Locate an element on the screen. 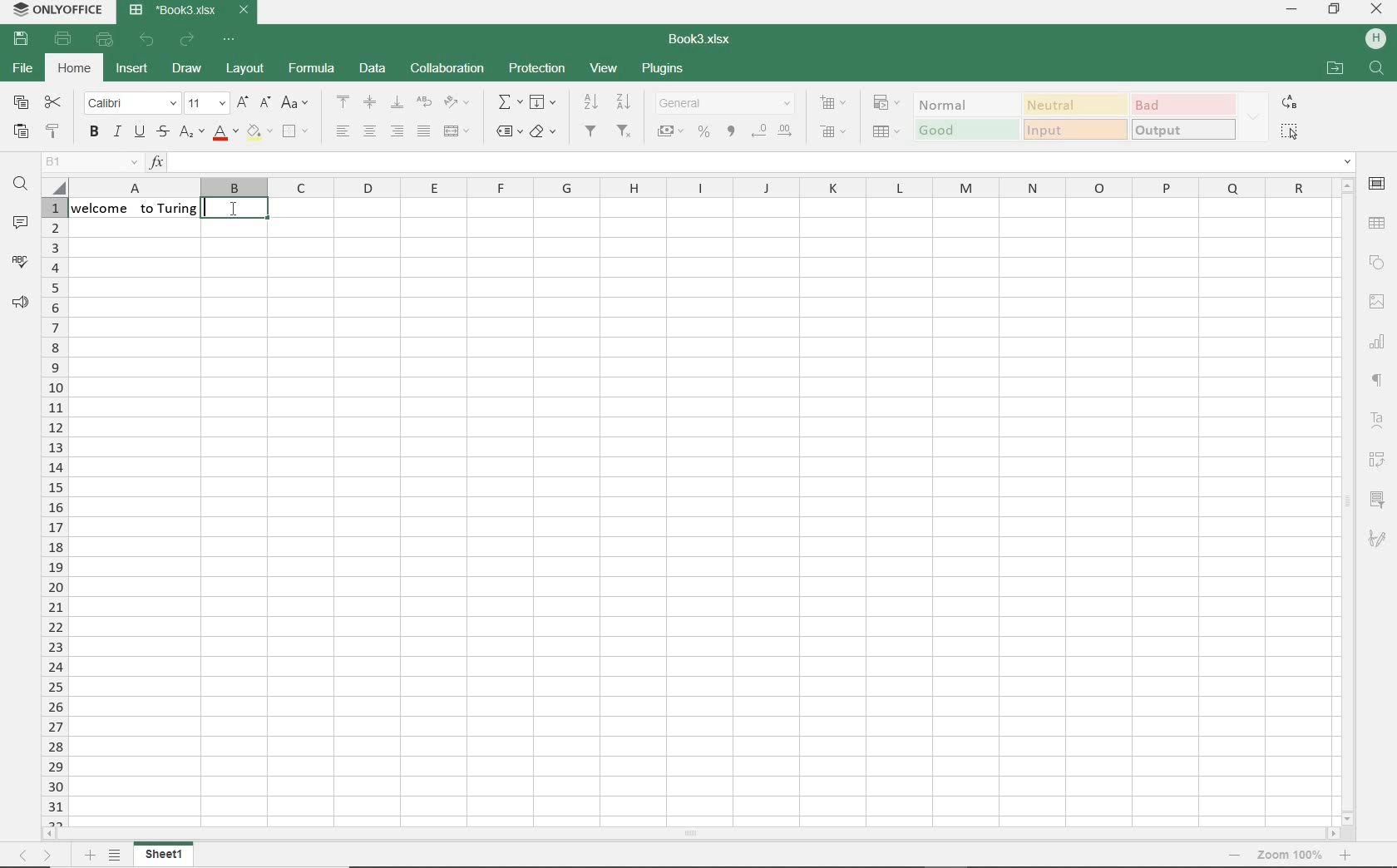 The width and height of the screenshot is (1397, 868). quick print is located at coordinates (106, 40).